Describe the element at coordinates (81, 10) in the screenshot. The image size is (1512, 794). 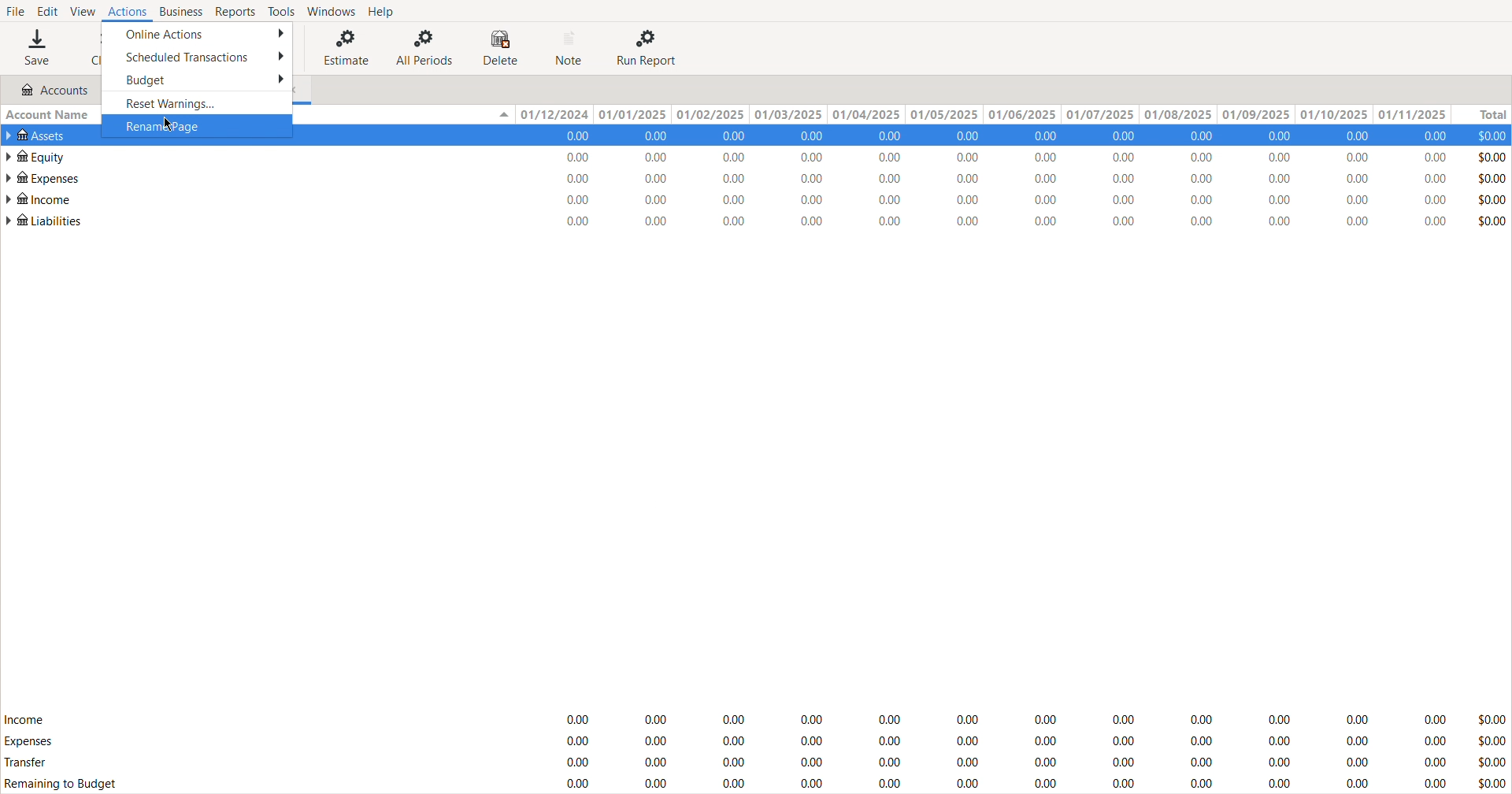
I see `View` at that location.